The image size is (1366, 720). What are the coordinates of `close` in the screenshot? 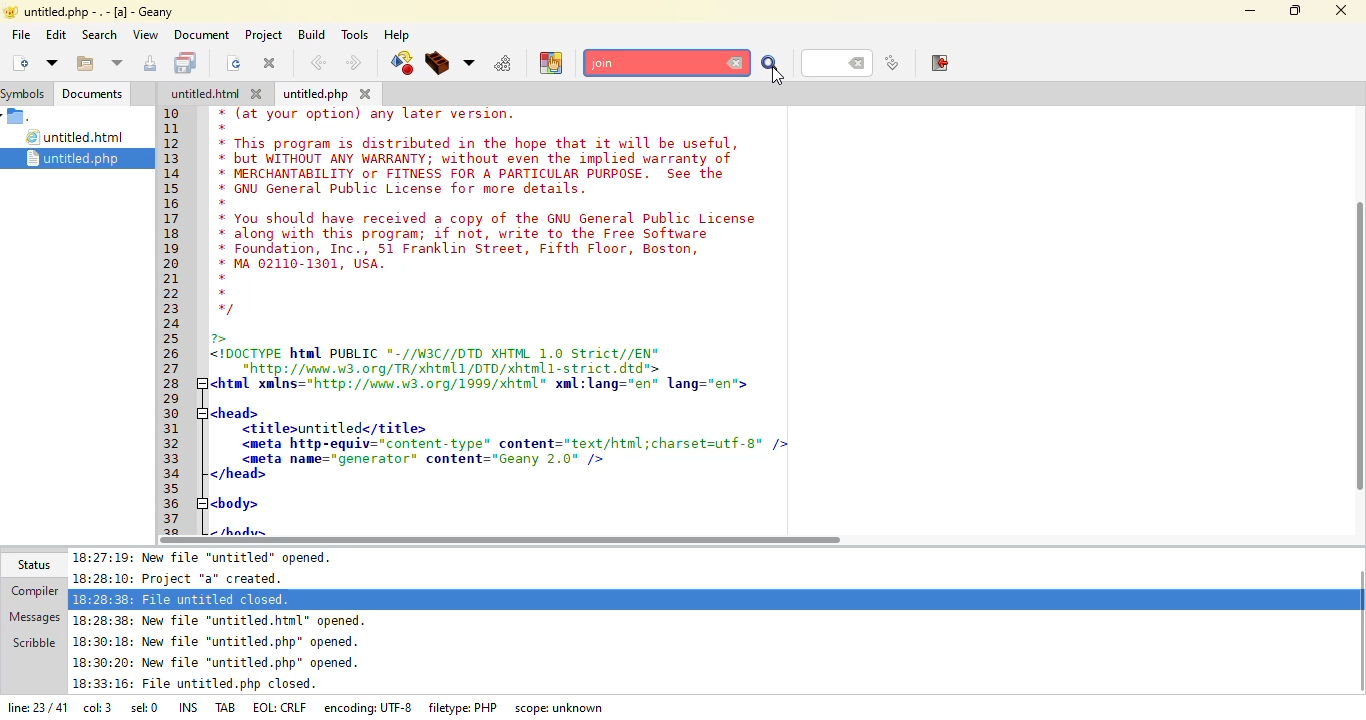 It's located at (1342, 8).